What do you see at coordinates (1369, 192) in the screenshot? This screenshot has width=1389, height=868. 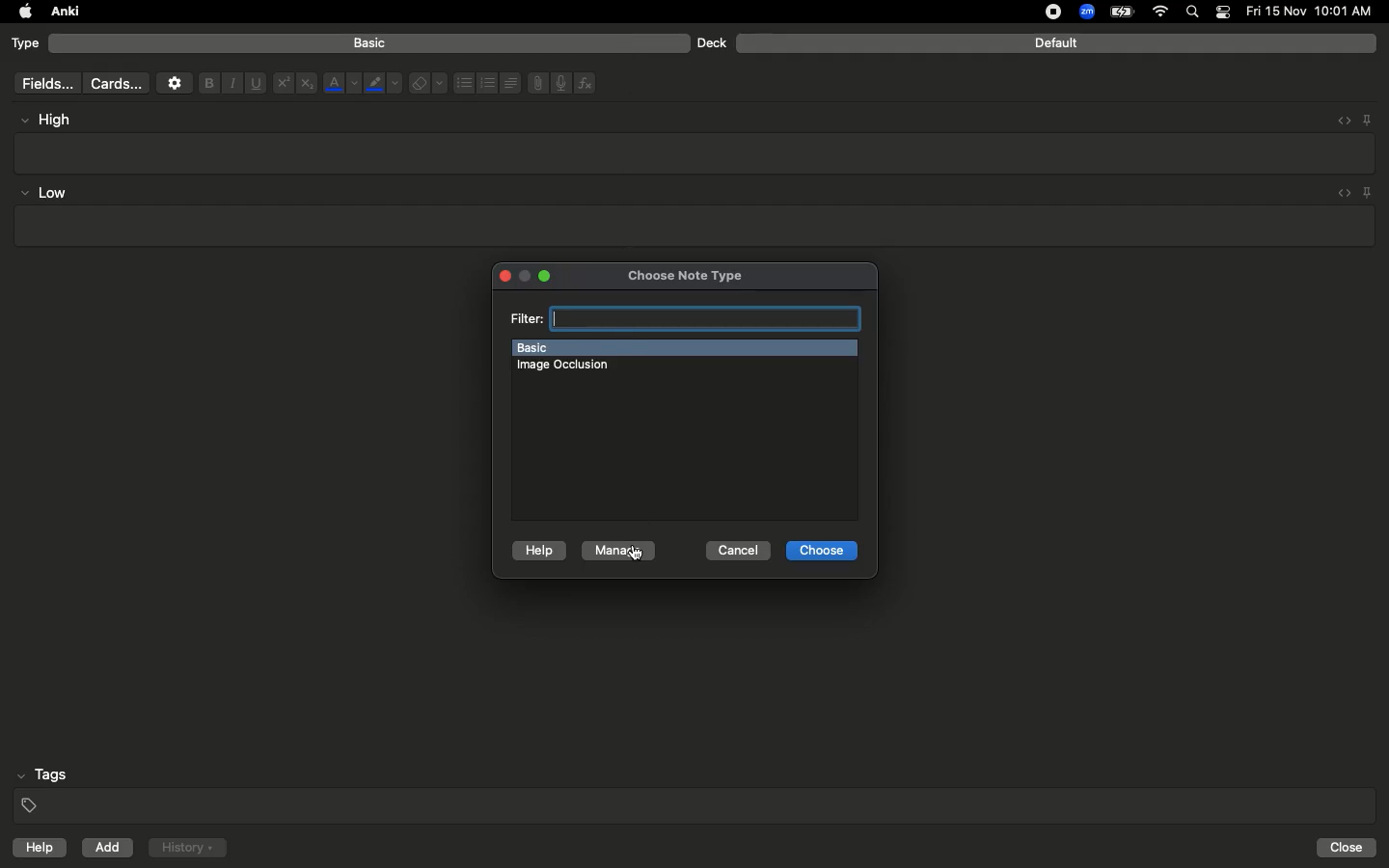 I see `Pin` at bounding box center [1369, 192].